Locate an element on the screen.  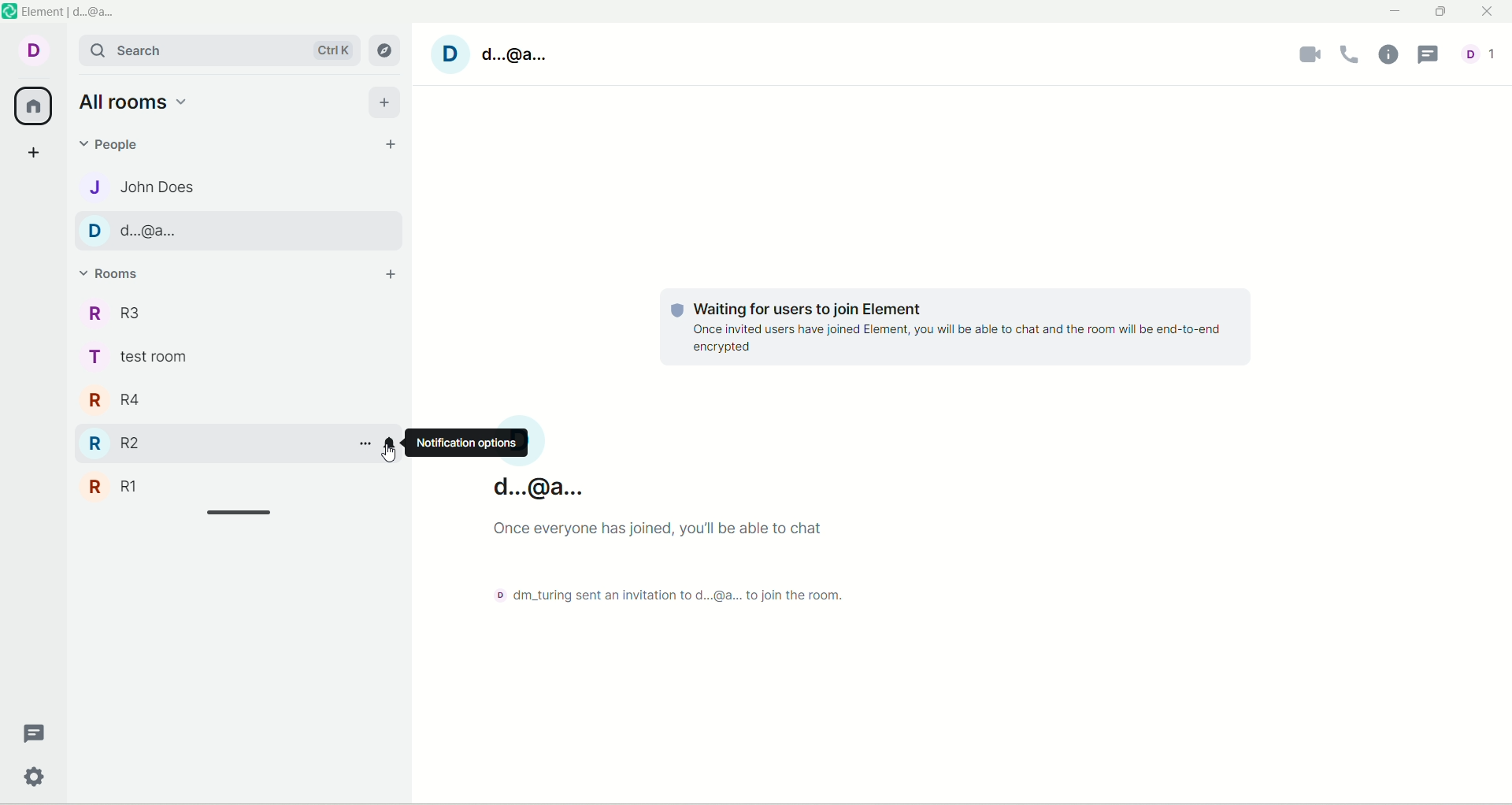
account is located at coordinates (32, 56).